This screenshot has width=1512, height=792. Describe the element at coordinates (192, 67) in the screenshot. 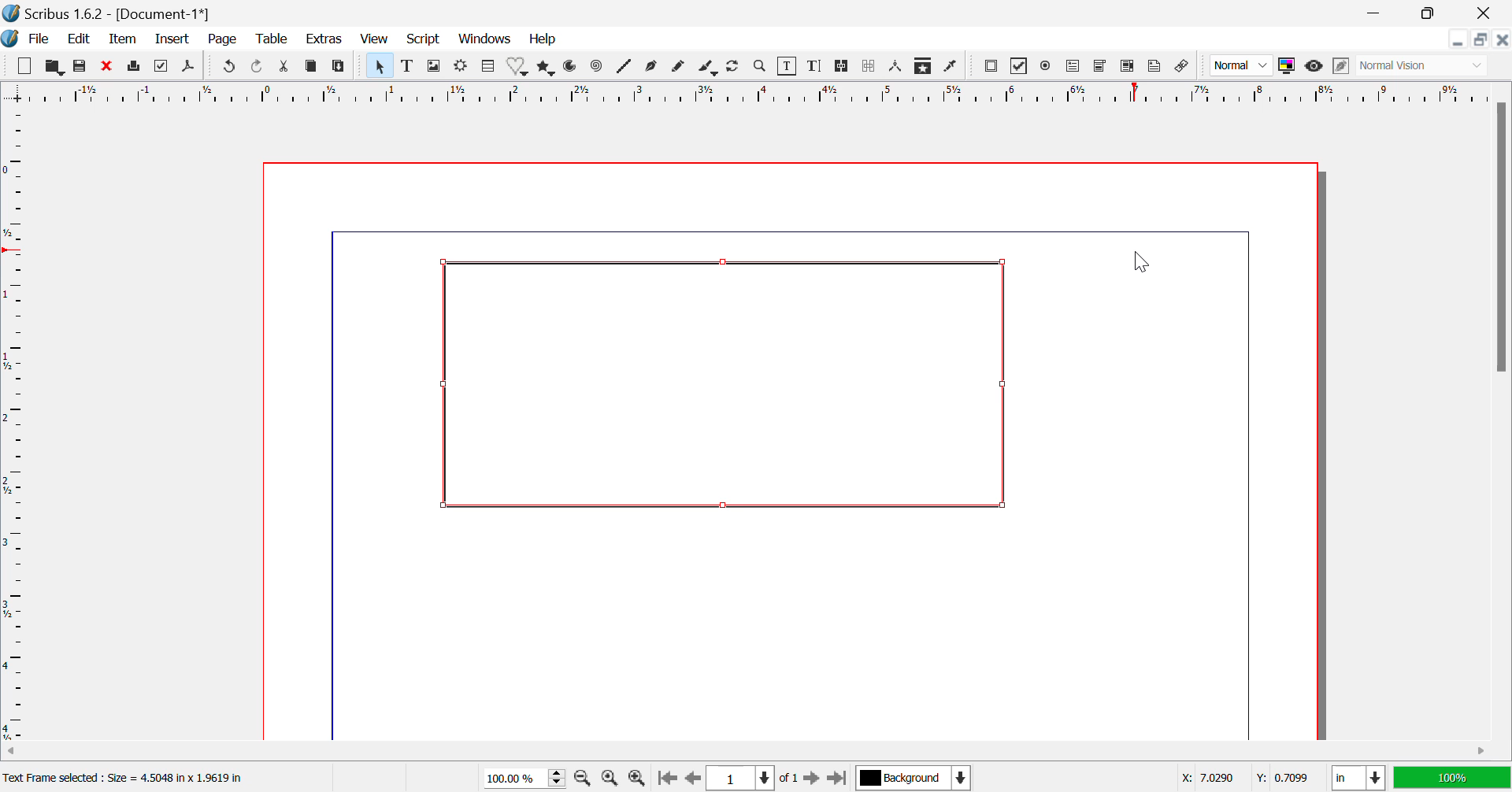

I see `Save as Pdf` at that location.